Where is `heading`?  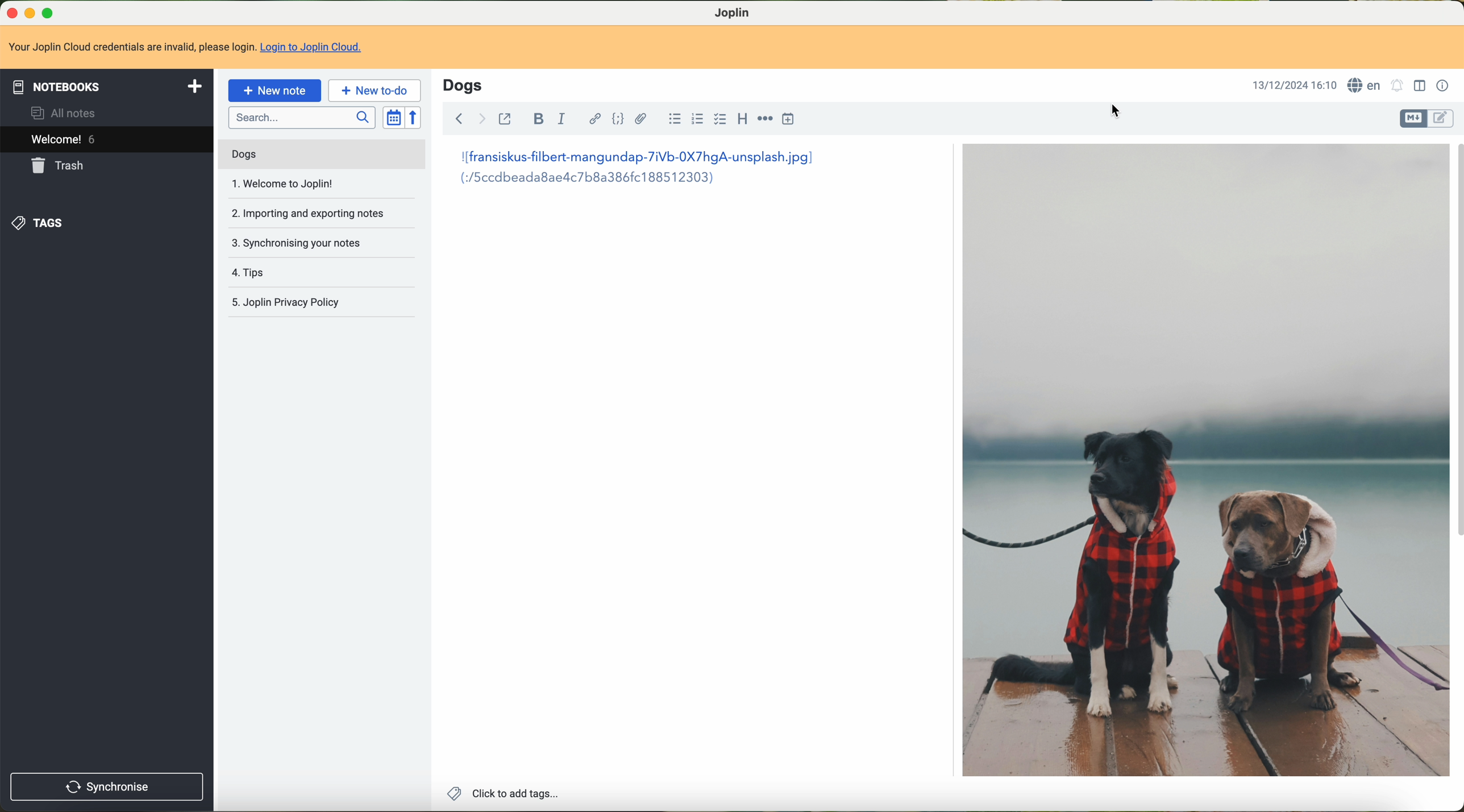
heading is located at coordinates (743, 120).